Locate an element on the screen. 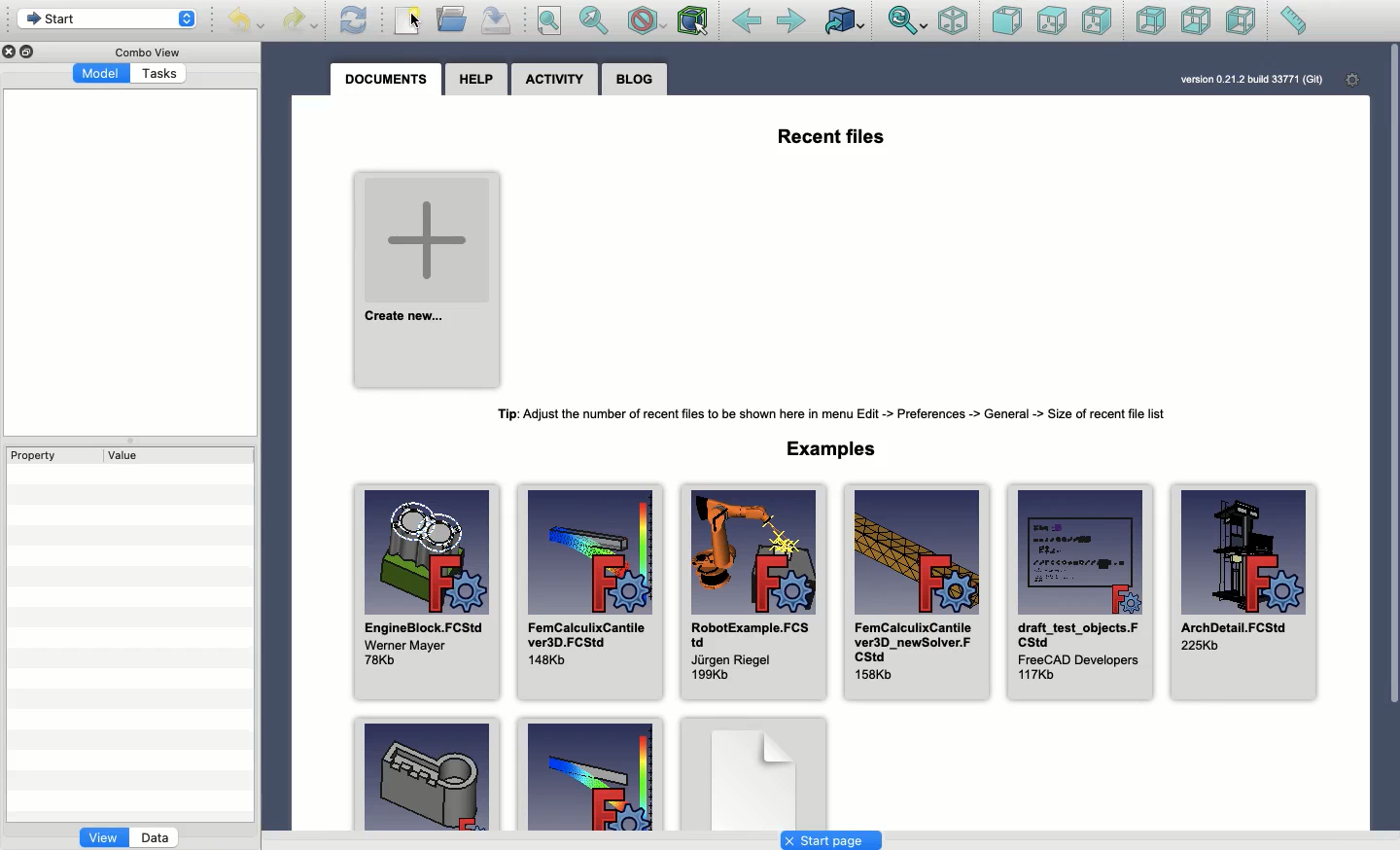 This screenshot has width=1400, height=850. Rear is located at coordinates (1149, 21).